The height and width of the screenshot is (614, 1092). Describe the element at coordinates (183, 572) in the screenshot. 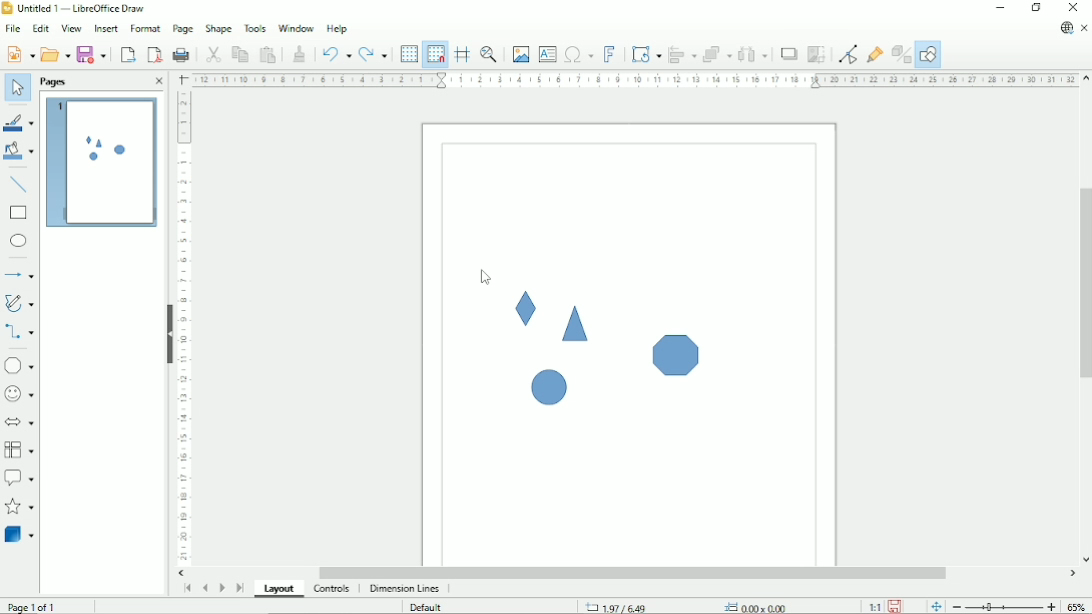

I see `Horizontal scroll button` at that location.